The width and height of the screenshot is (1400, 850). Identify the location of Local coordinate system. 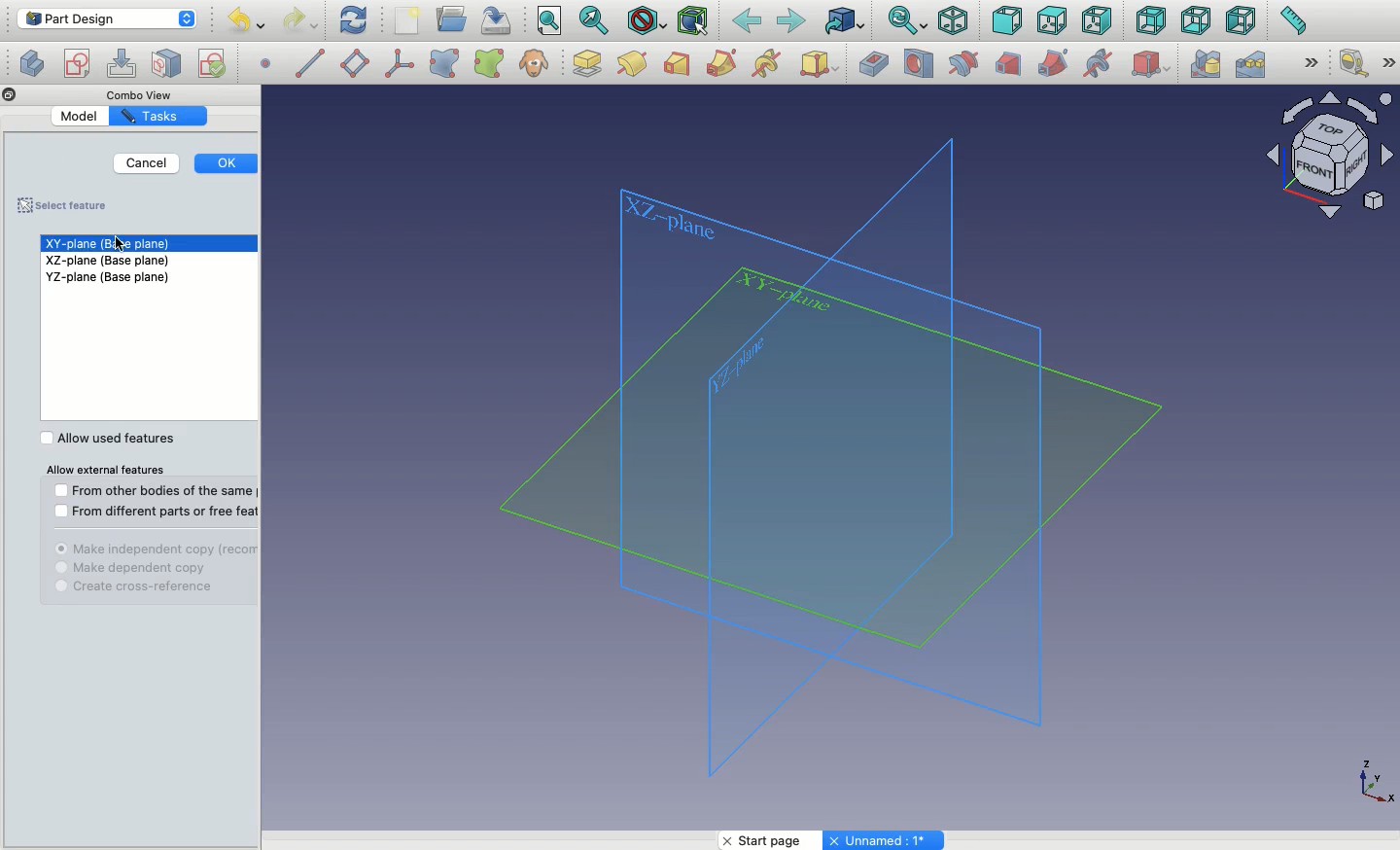
(400, 65).